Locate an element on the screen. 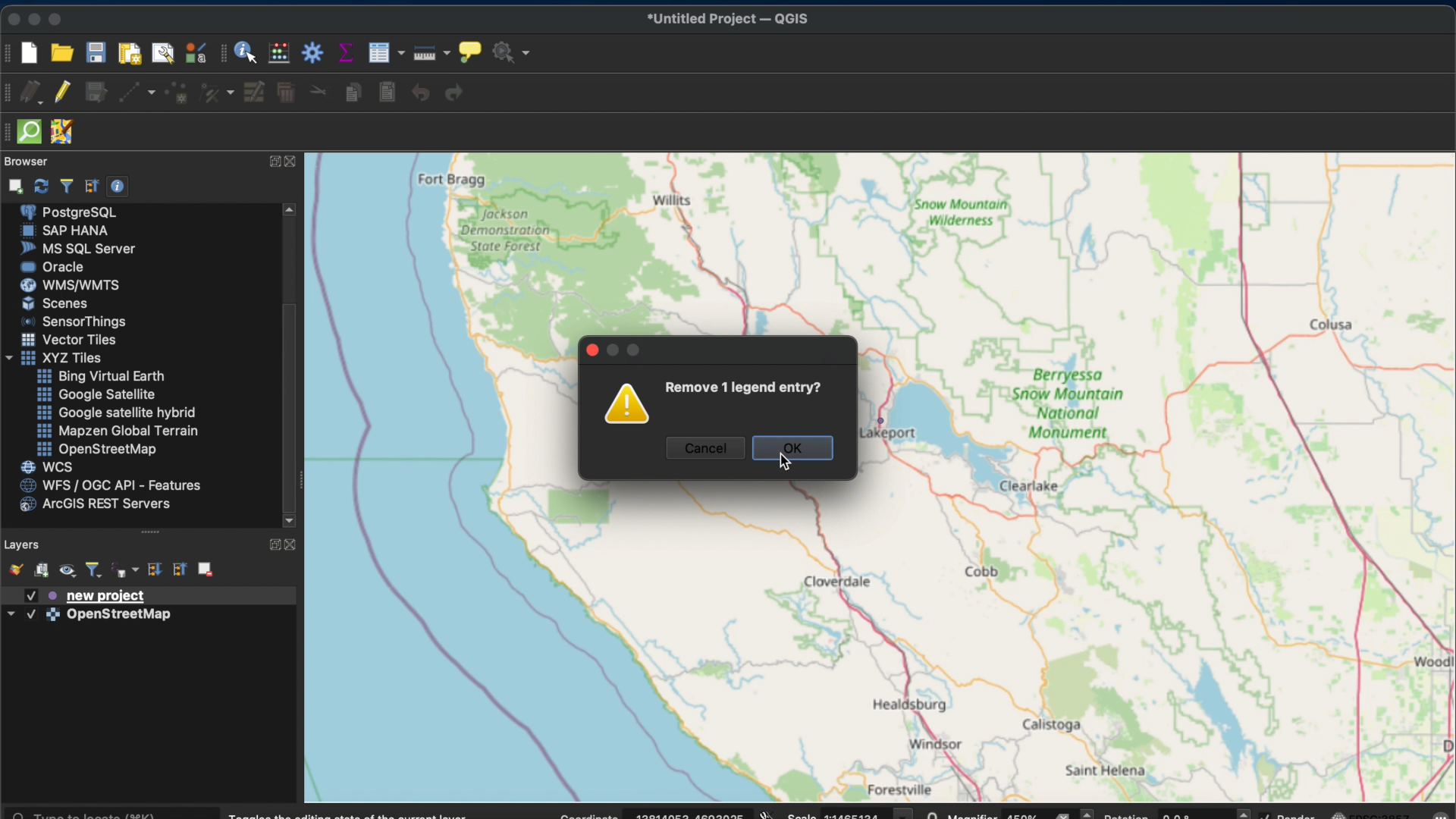  close is located at coordinates (590, 350).